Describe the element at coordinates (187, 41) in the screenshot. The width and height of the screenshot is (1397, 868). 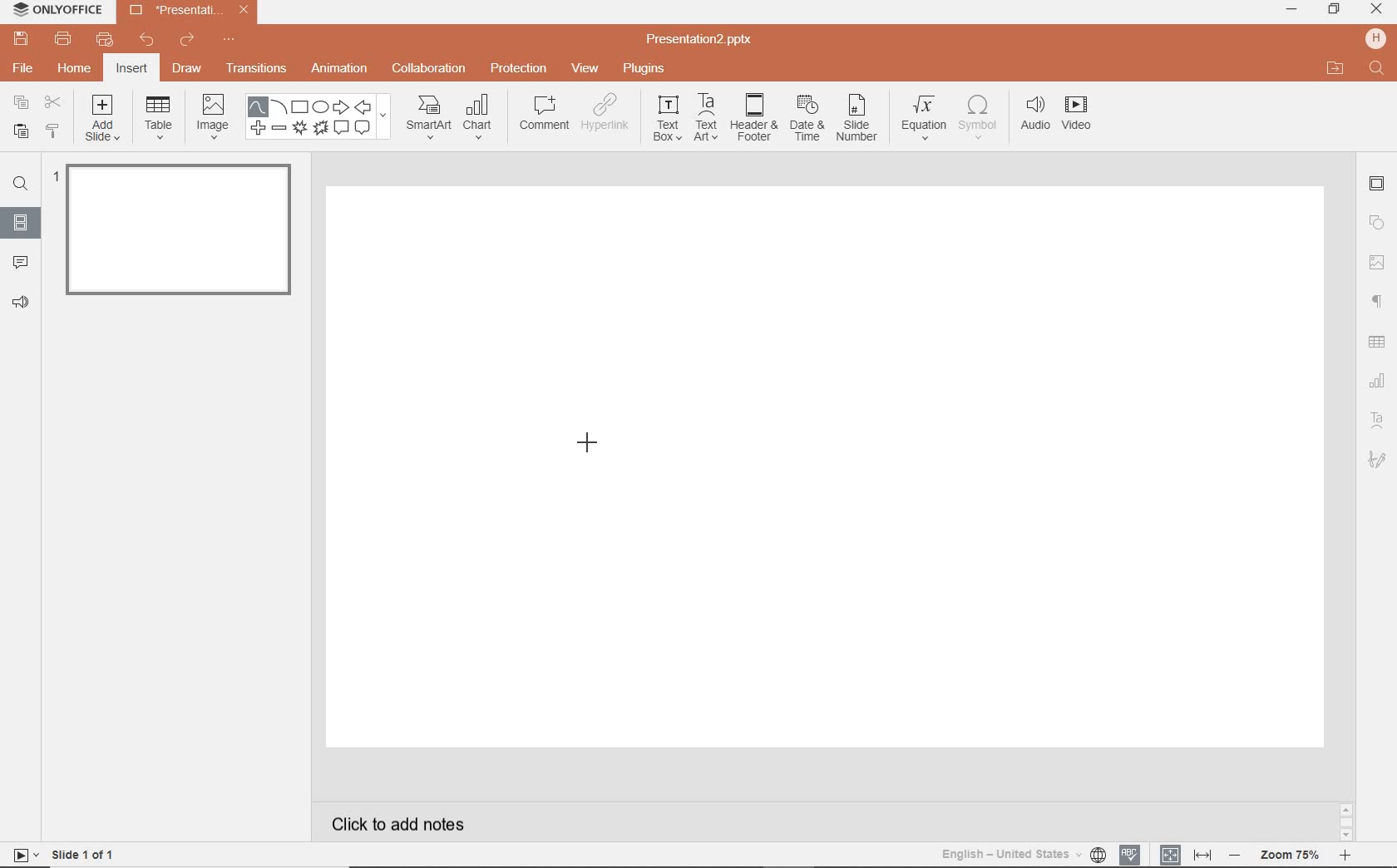
I see `REDO` at that location.